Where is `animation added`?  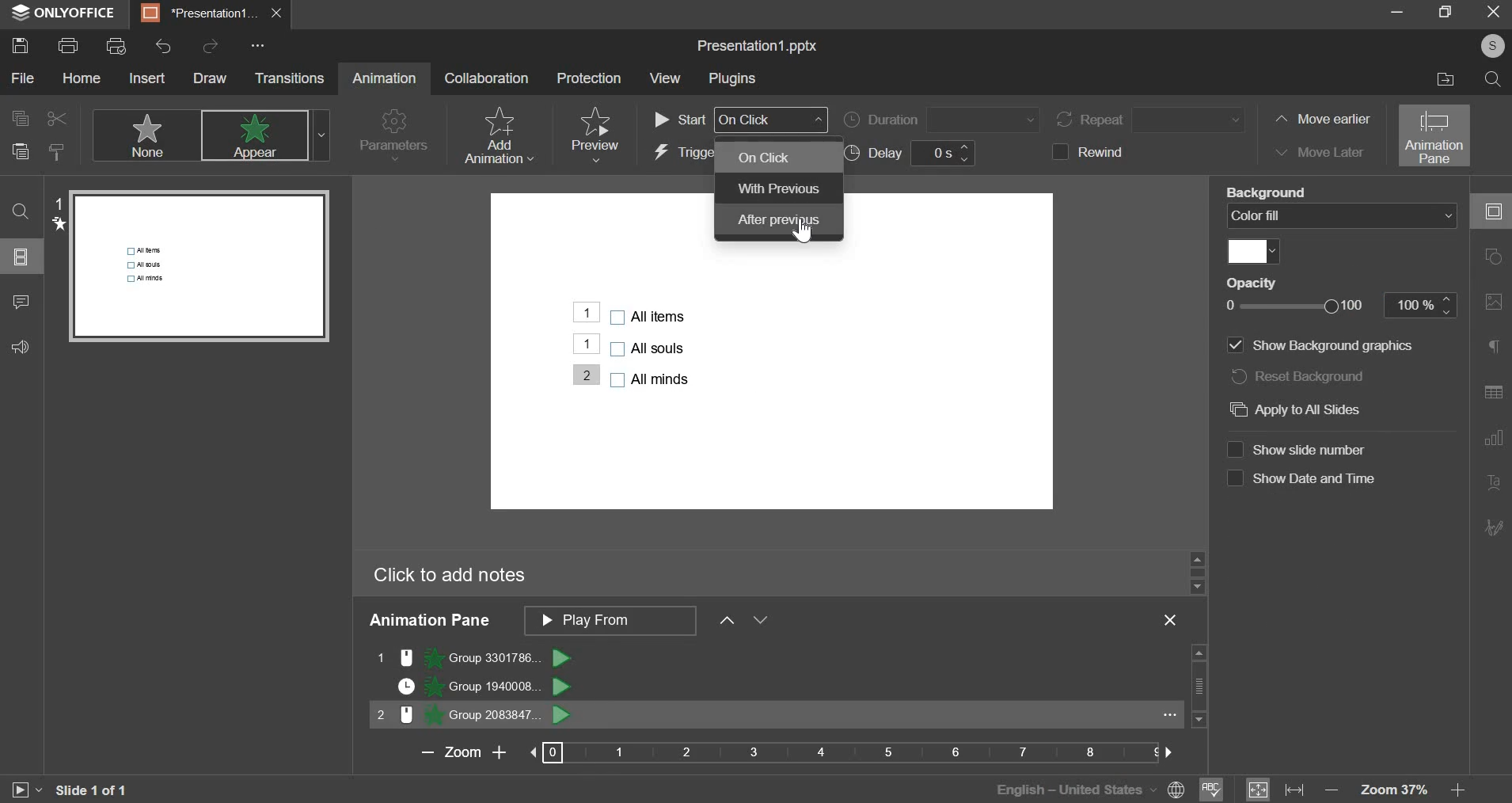 animation added is located at coordinates (585, 311).